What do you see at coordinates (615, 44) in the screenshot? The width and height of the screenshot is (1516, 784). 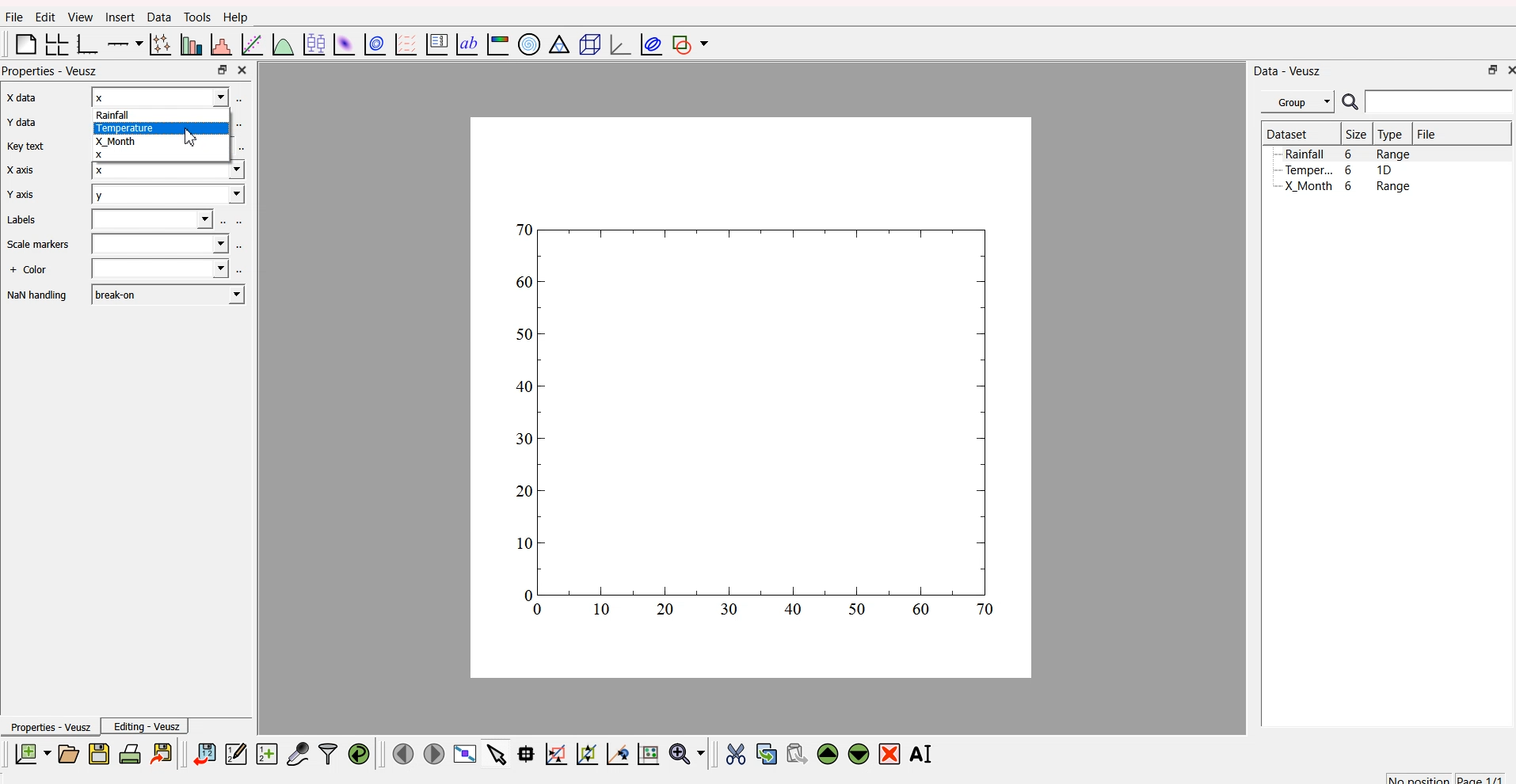 I see `3D graph` at bounding box center [615, 44].